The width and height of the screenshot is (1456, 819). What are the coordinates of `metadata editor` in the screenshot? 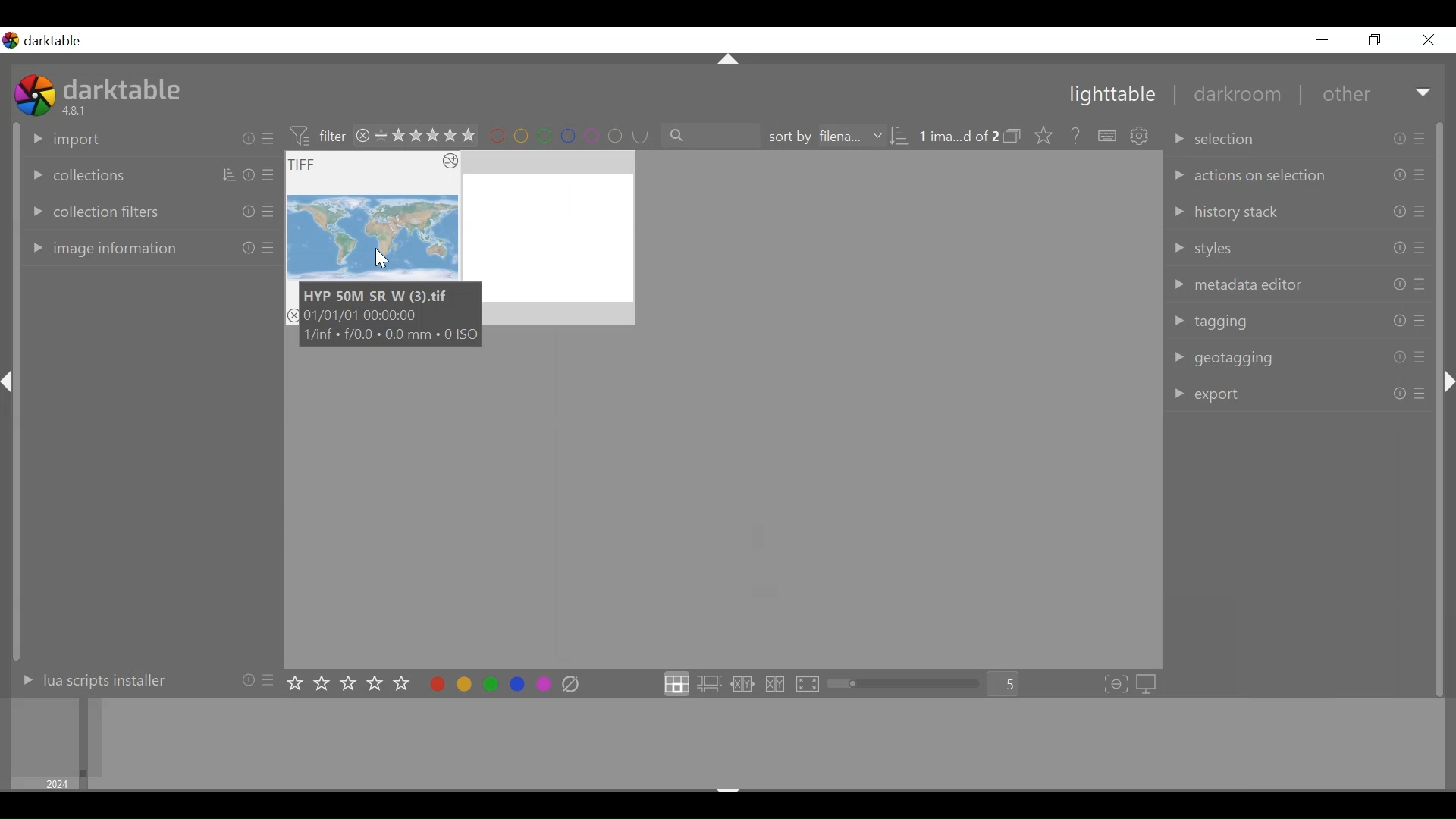 It's located at (1295, 283).